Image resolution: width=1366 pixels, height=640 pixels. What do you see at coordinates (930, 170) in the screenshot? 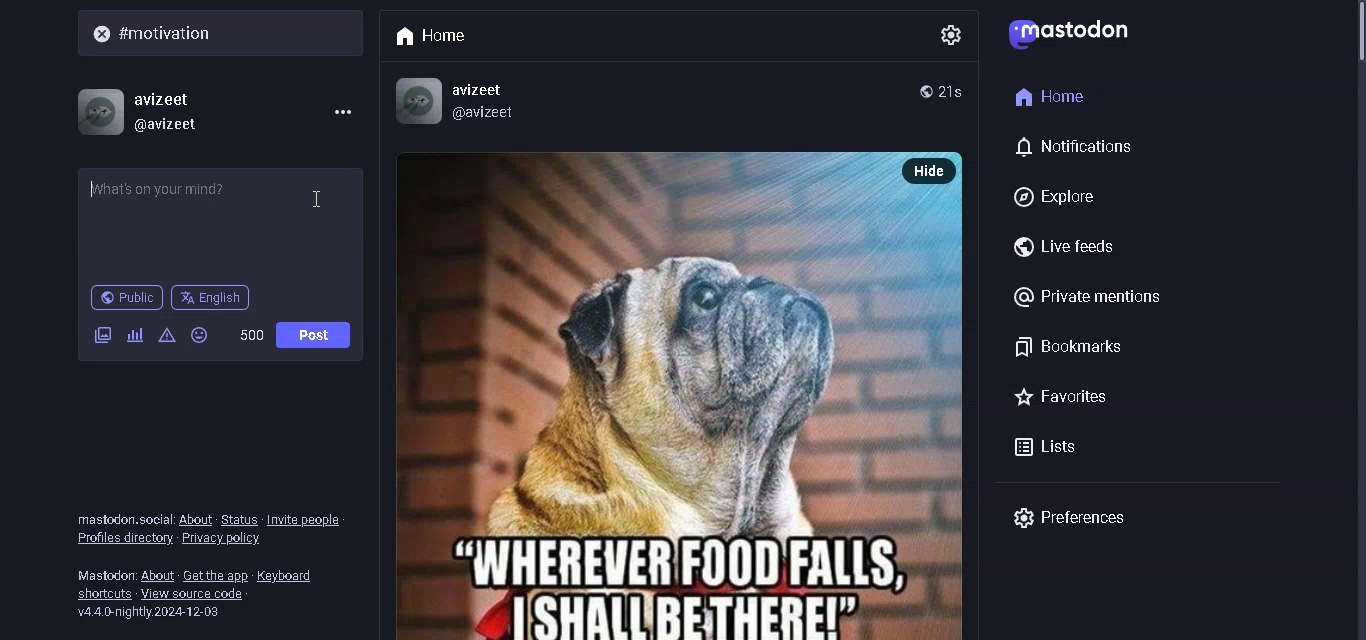
I see `hide` at bounding box center [930, 170].